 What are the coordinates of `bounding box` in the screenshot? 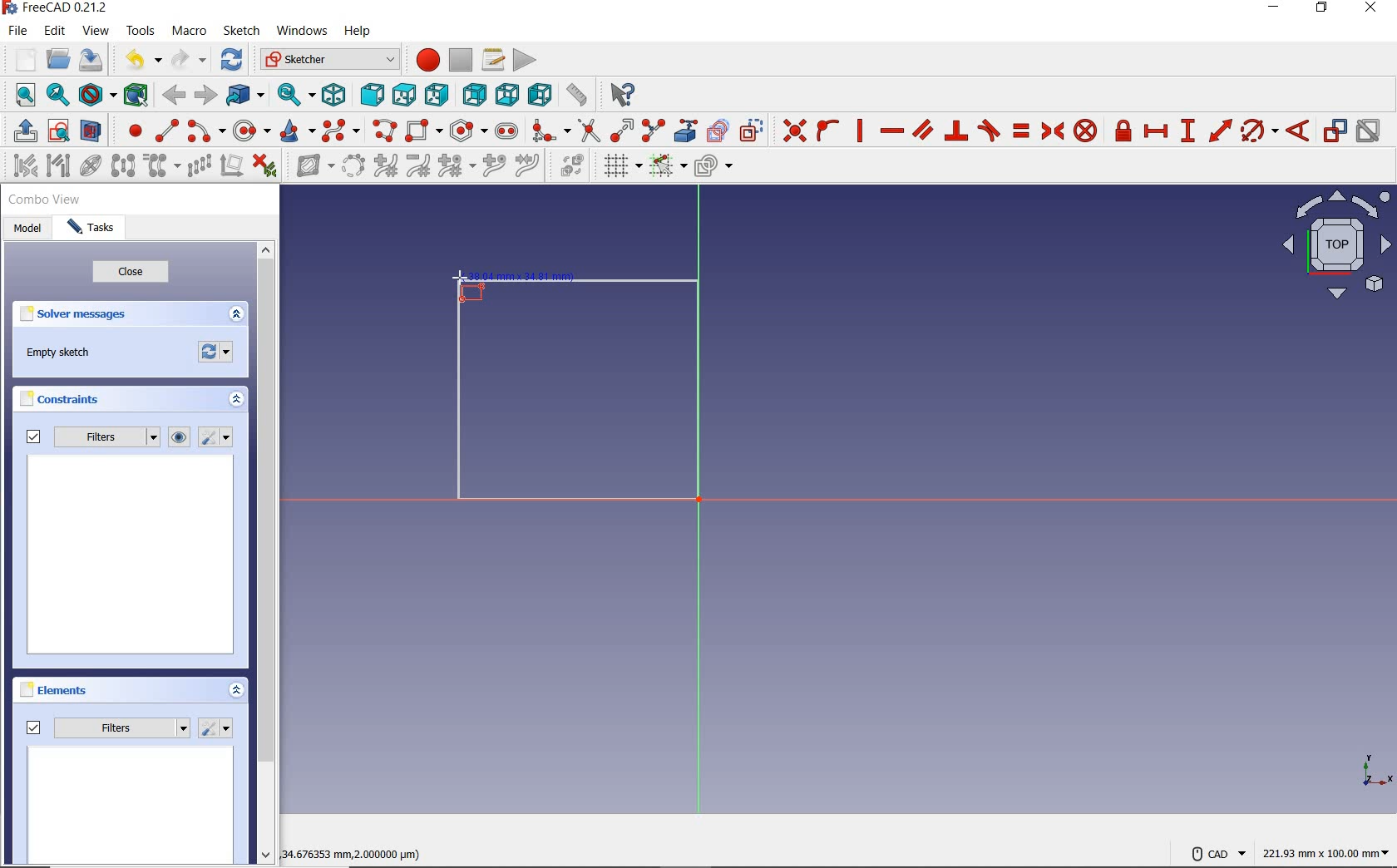 It's located at (133, 94).